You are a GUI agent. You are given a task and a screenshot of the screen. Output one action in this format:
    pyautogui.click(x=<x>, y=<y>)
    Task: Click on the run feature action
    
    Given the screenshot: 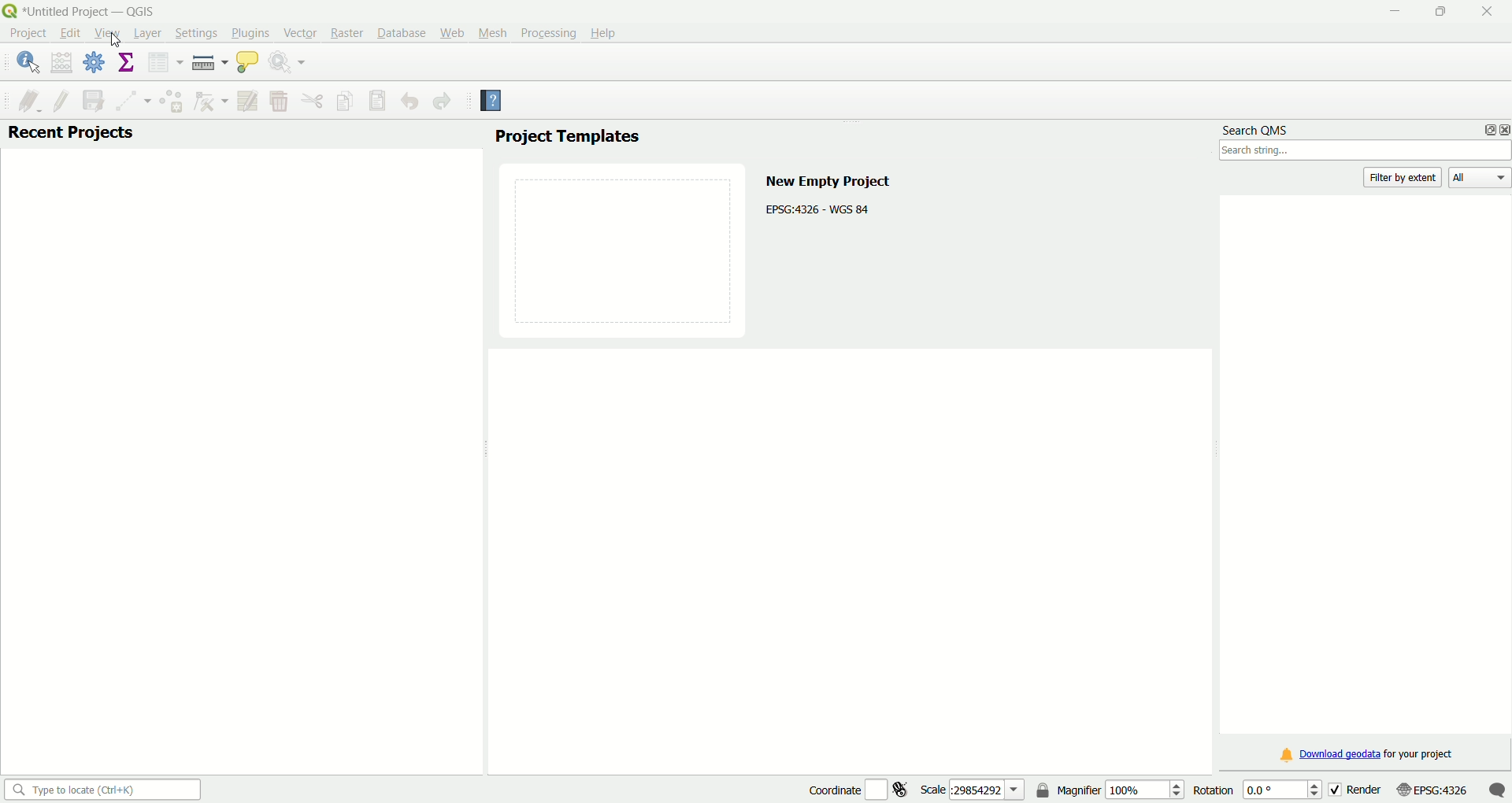 What is the action you would take?
    pyautogui.click(x=290, y=64)
    